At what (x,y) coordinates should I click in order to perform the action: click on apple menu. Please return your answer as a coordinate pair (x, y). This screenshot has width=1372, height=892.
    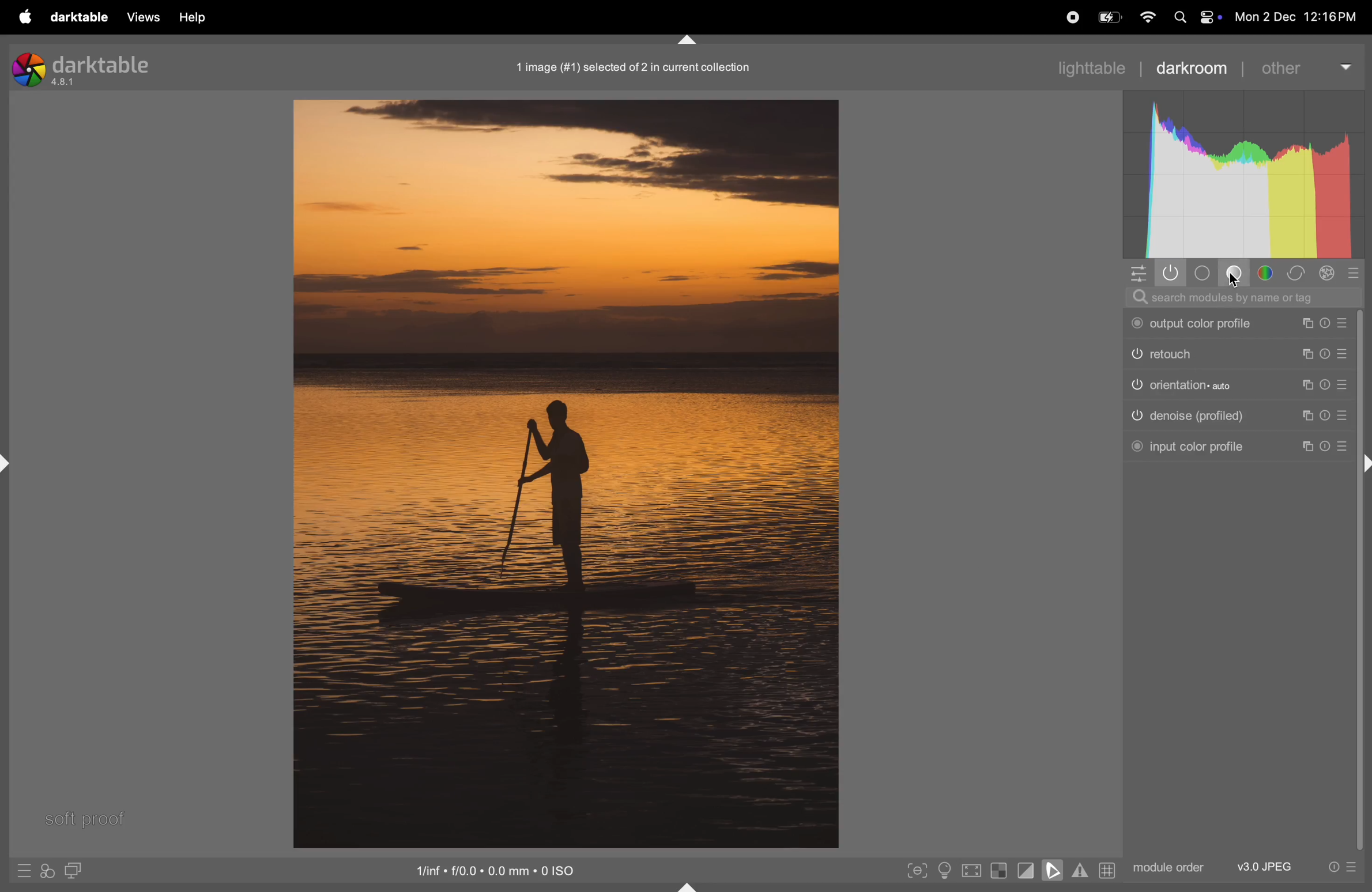
    Looking at the image, I should click on (22, 17).